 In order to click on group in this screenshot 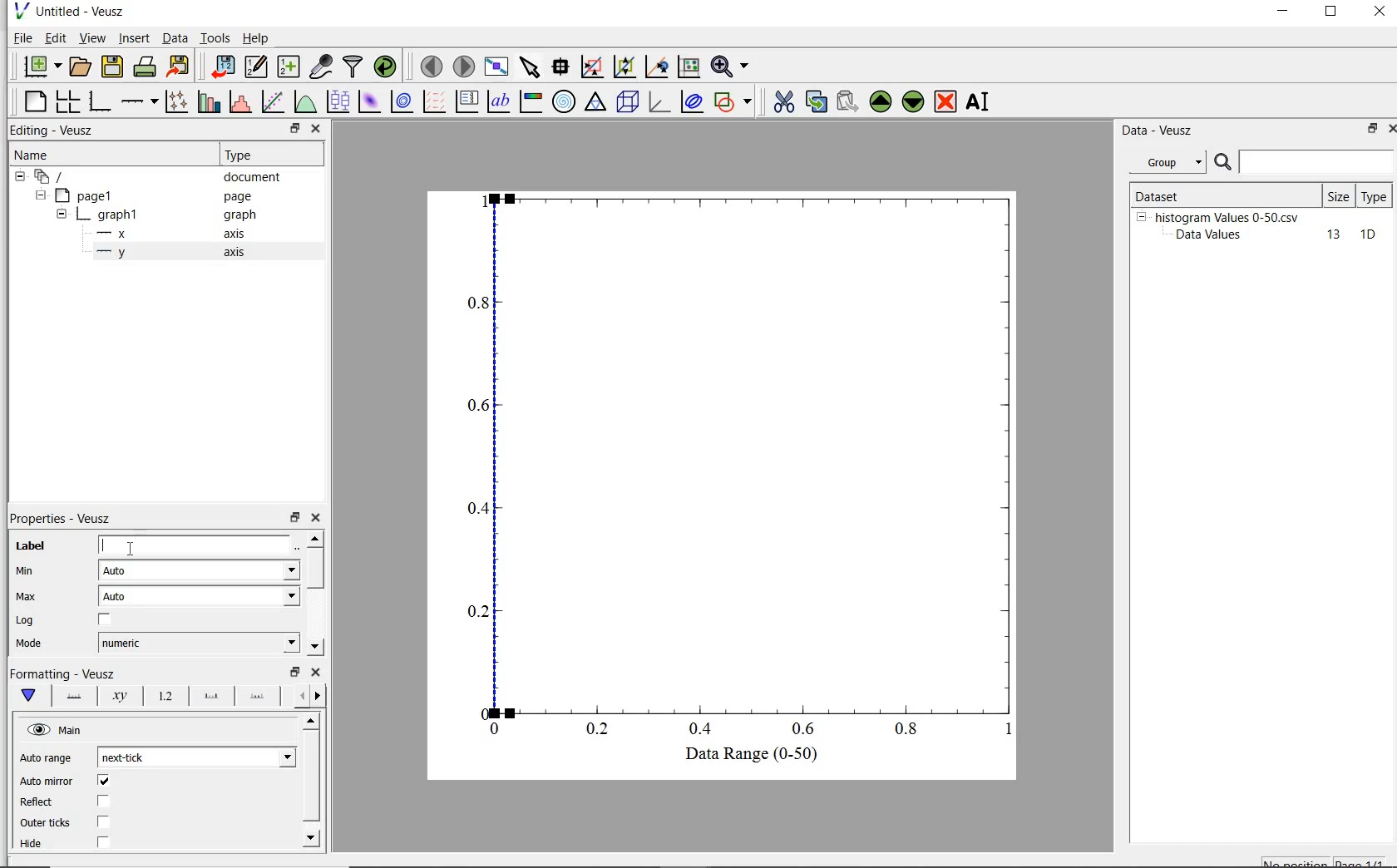, I will do `click(1166, 162)`.